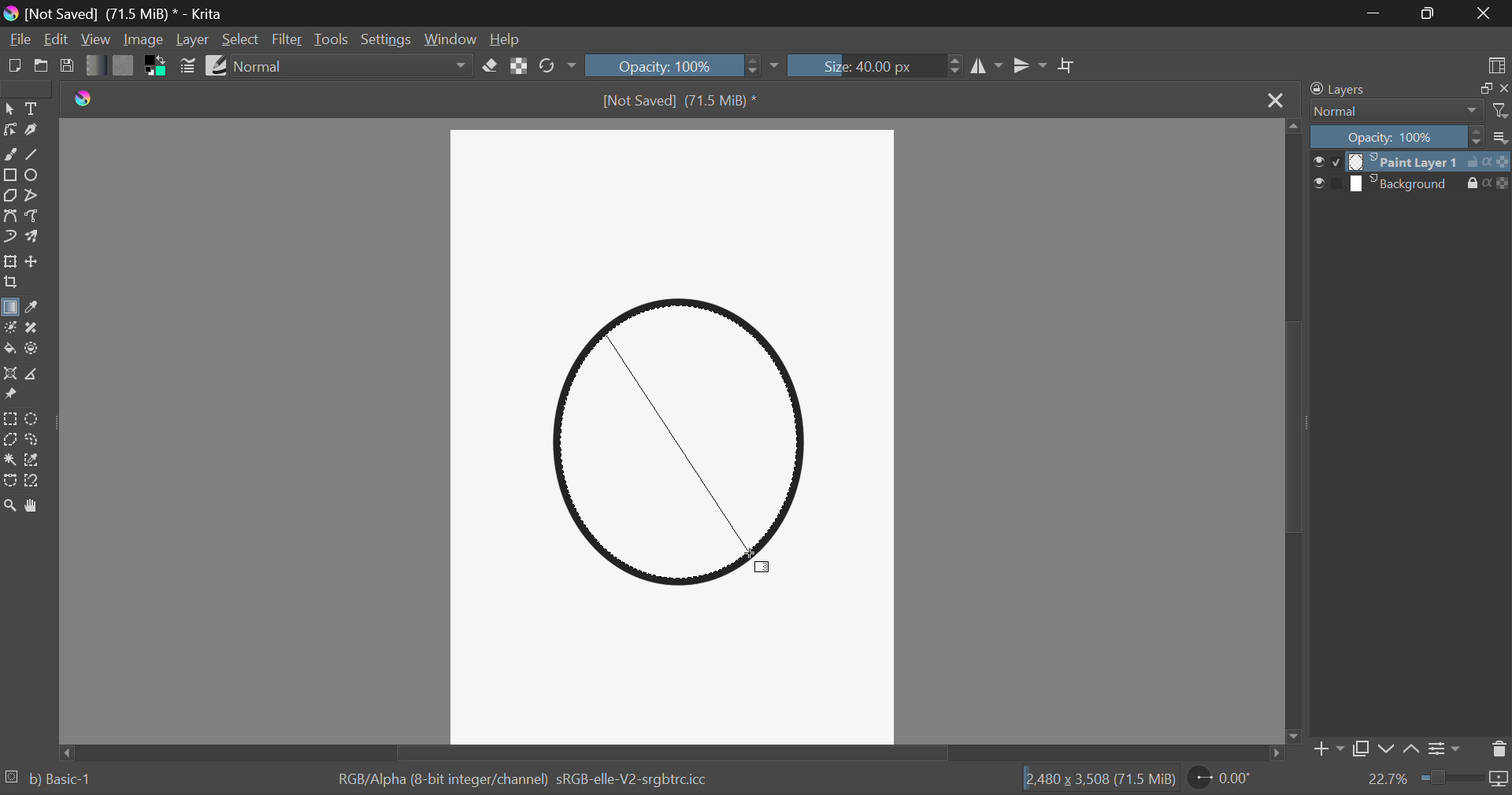 The height and width of the screenshot is (795, 1512). What do you see at coordinates (11, 177) in the screenshot?
I see `Rectangle` at bounding box center [11, 177].